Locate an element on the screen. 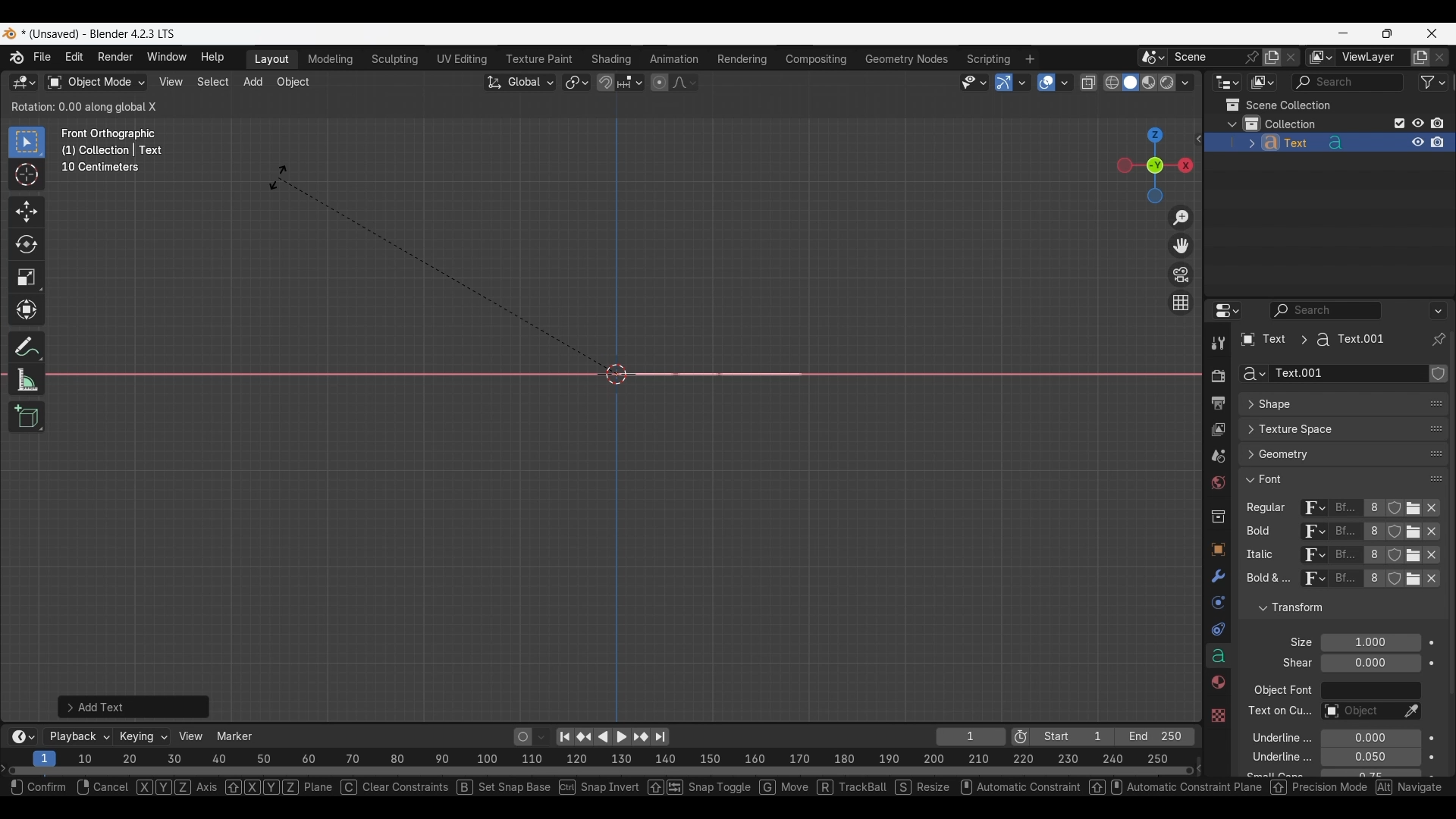 The image size is (1456, 819). Collection is located at coordinates (1217, 516).